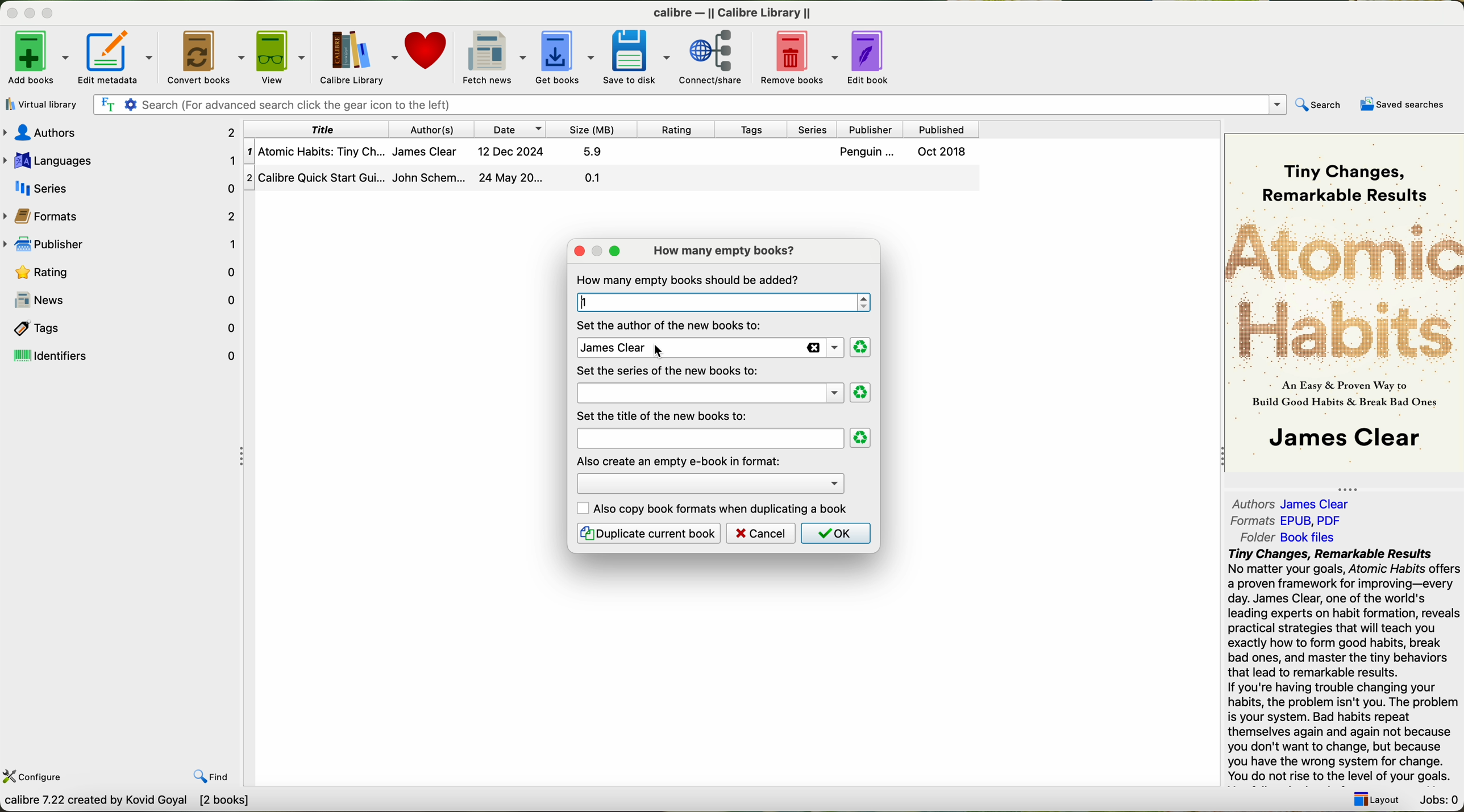 This screenshot has width=1464, height=812. Describe the element at coordinates (205, 56) in the screenshot. I see `convert books` at that location.